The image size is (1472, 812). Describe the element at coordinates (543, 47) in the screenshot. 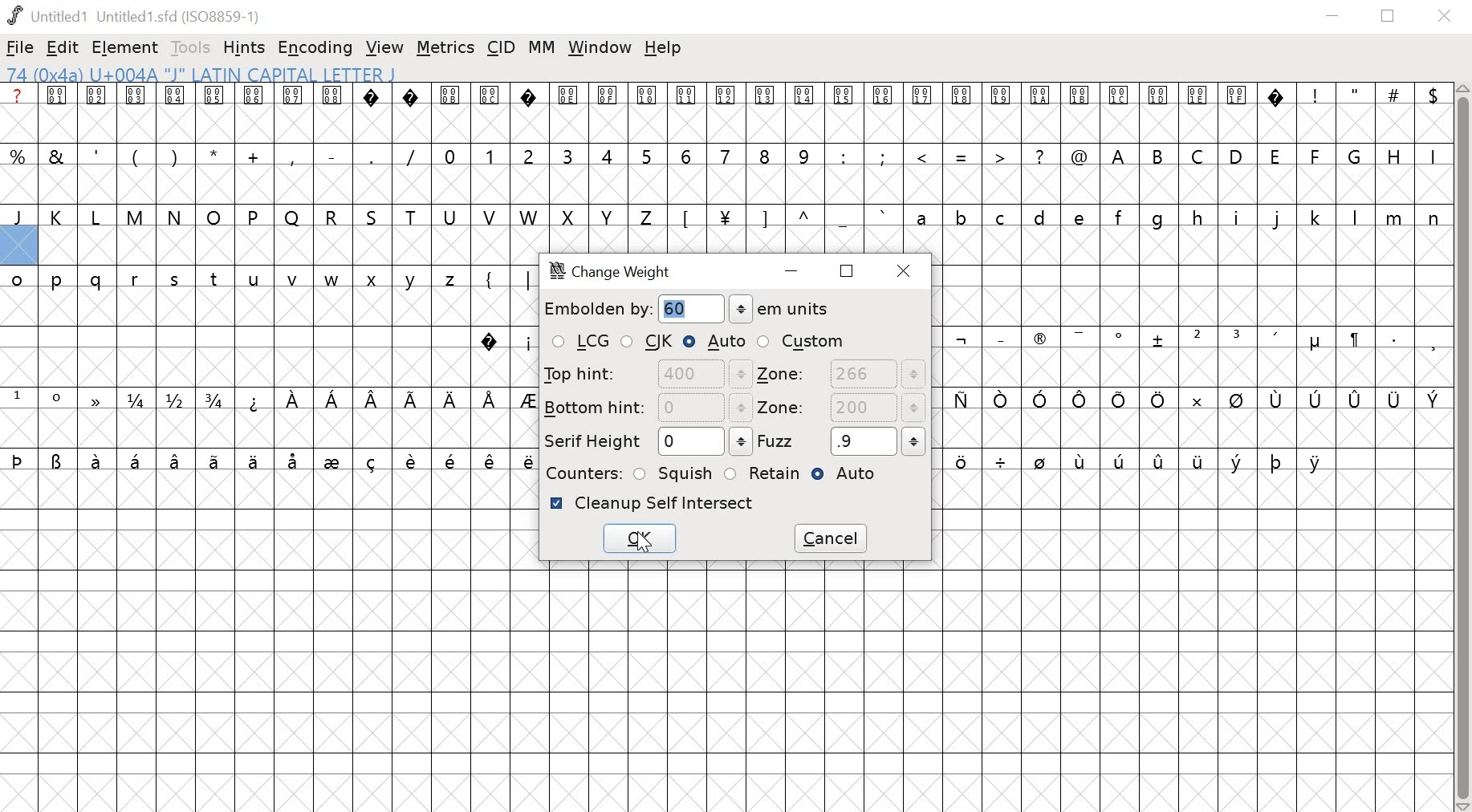

I see `MM` at that location.